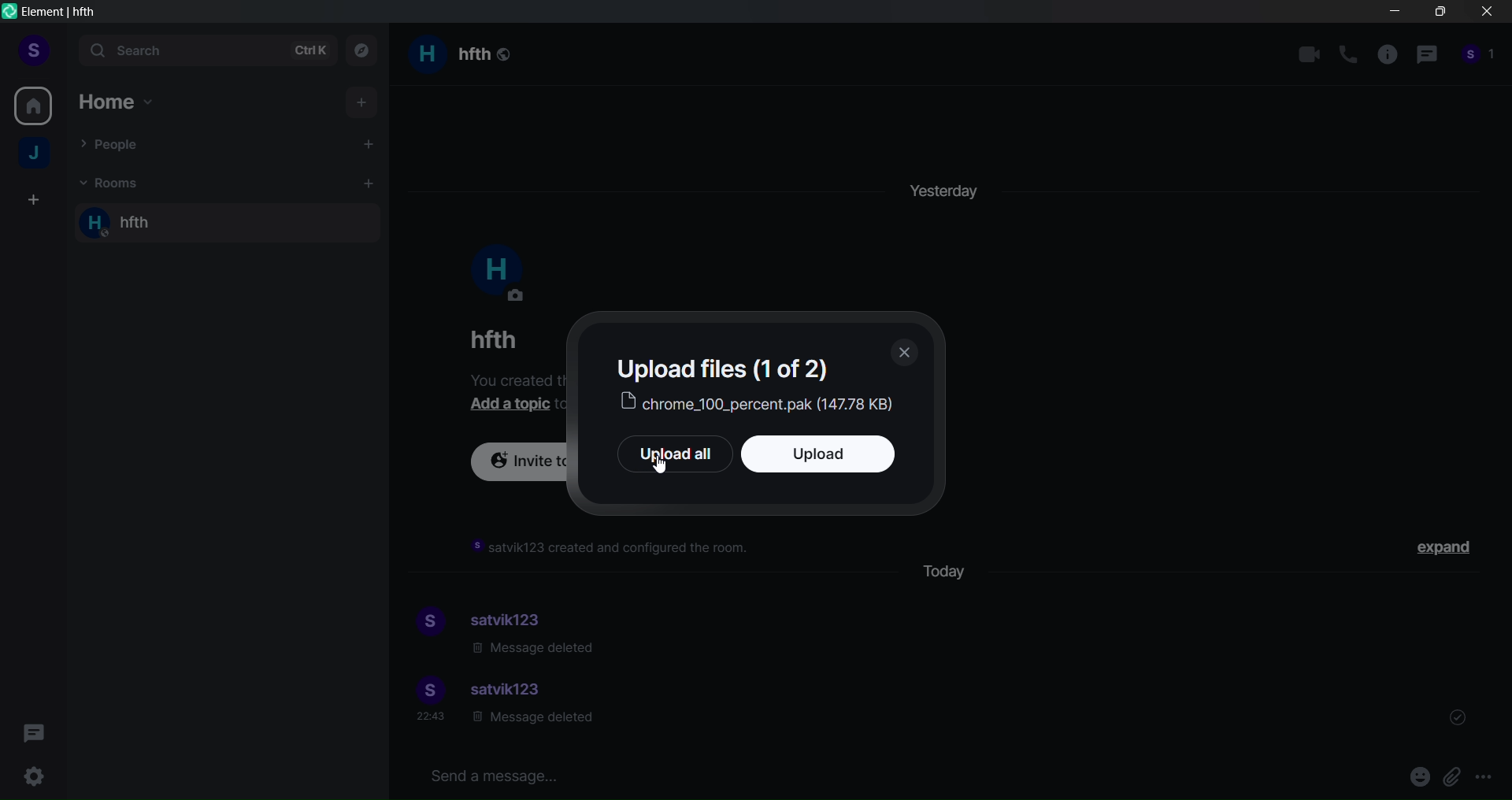  Describe the element at coordinates (365, 101) in the screenshot. I see `add` at that location.